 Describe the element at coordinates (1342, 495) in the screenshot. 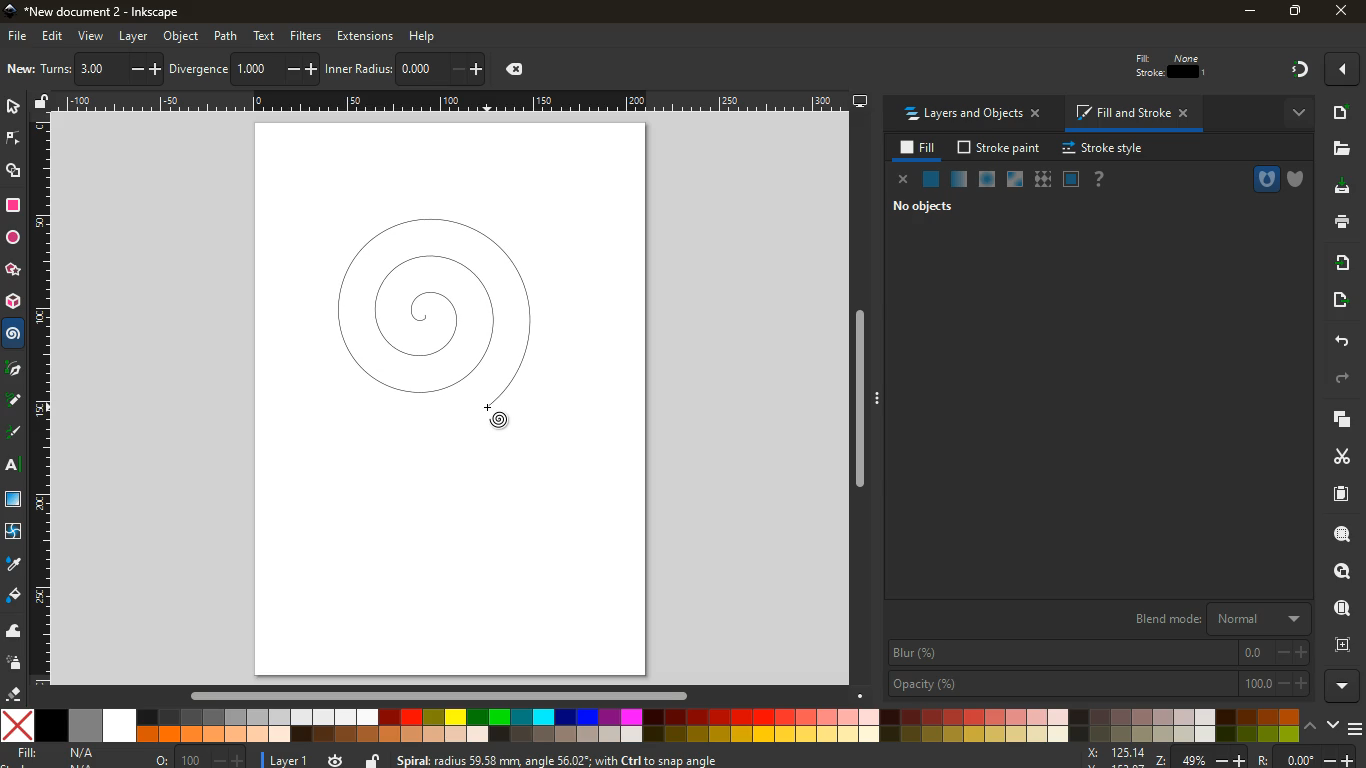

I see `paper` at that location.